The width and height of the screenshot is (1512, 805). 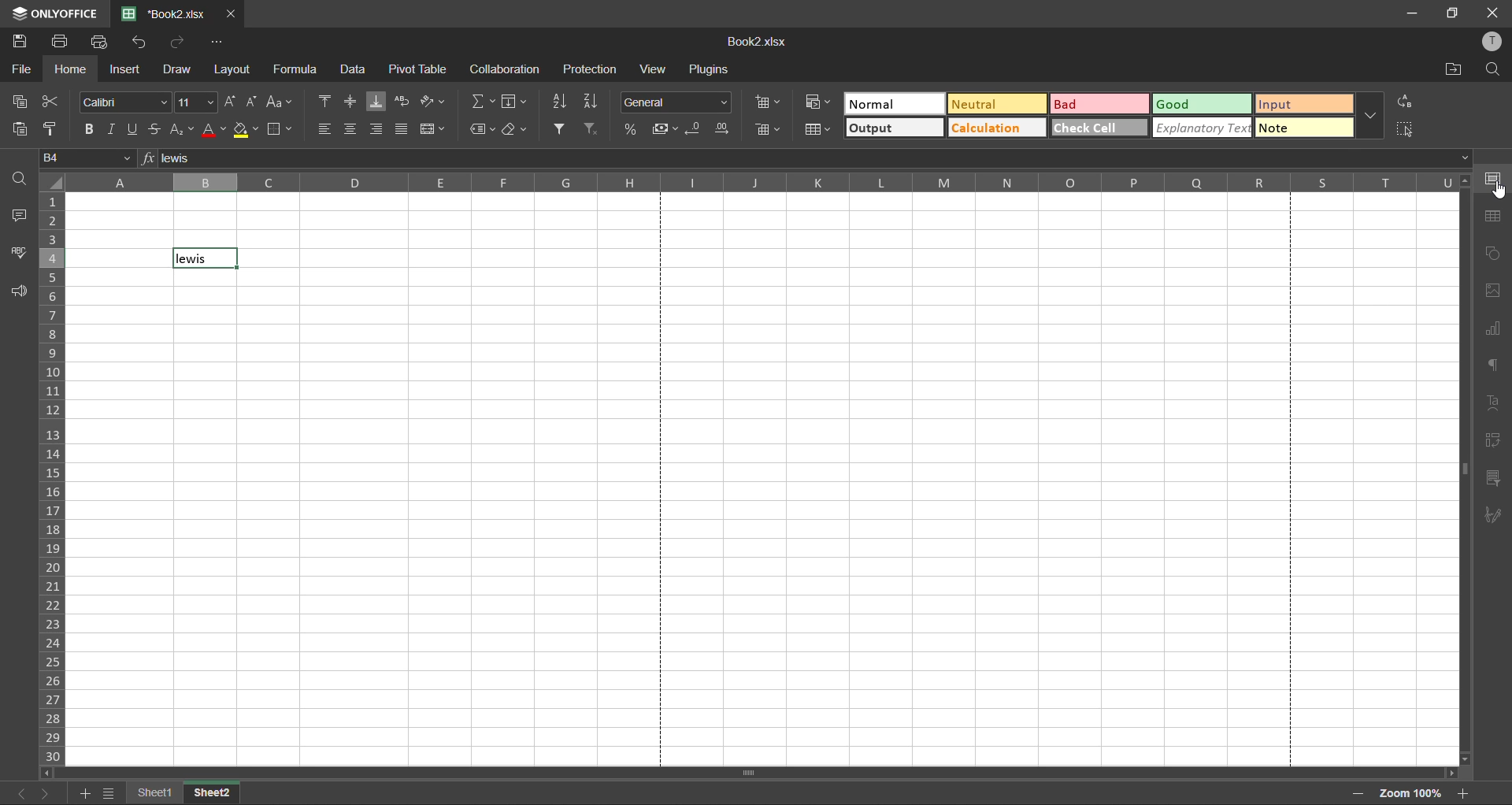 I want to click on find, so click(x=1492, y=72).